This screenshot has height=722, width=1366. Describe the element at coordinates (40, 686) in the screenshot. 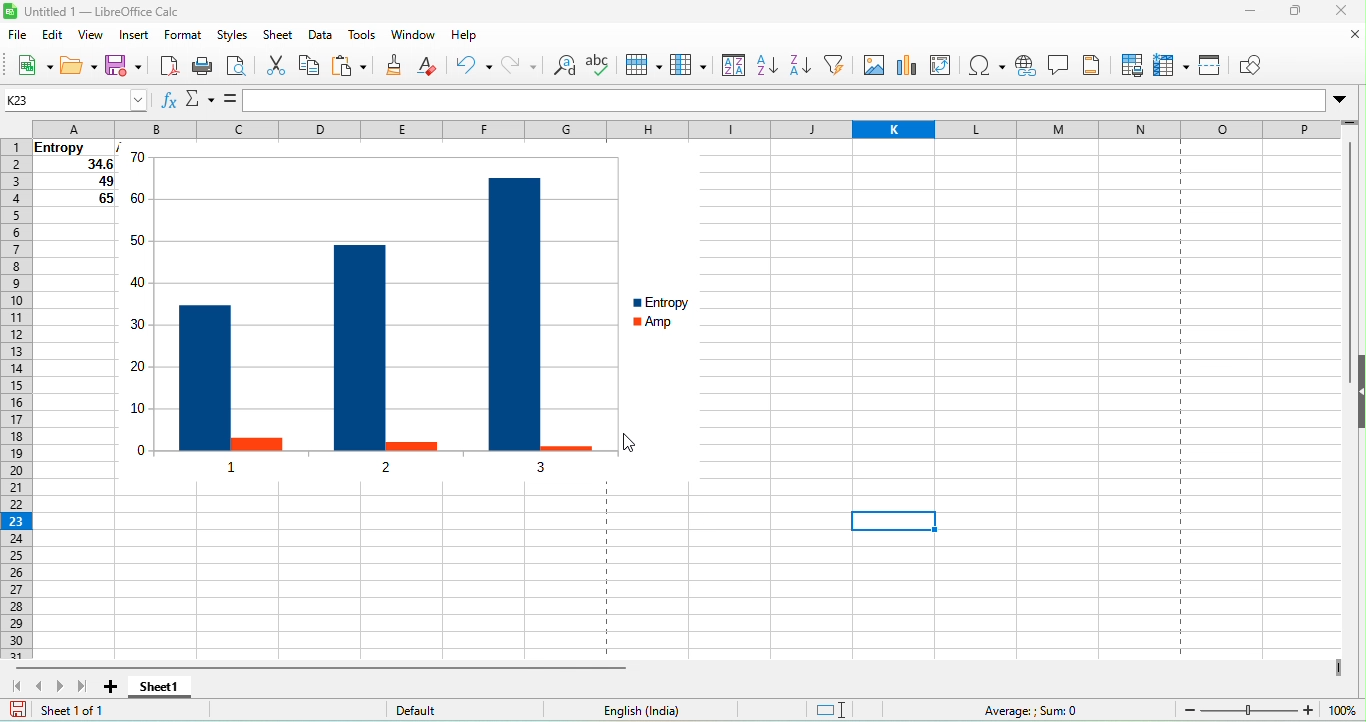

I see `scroll to previous sheet` at that location.